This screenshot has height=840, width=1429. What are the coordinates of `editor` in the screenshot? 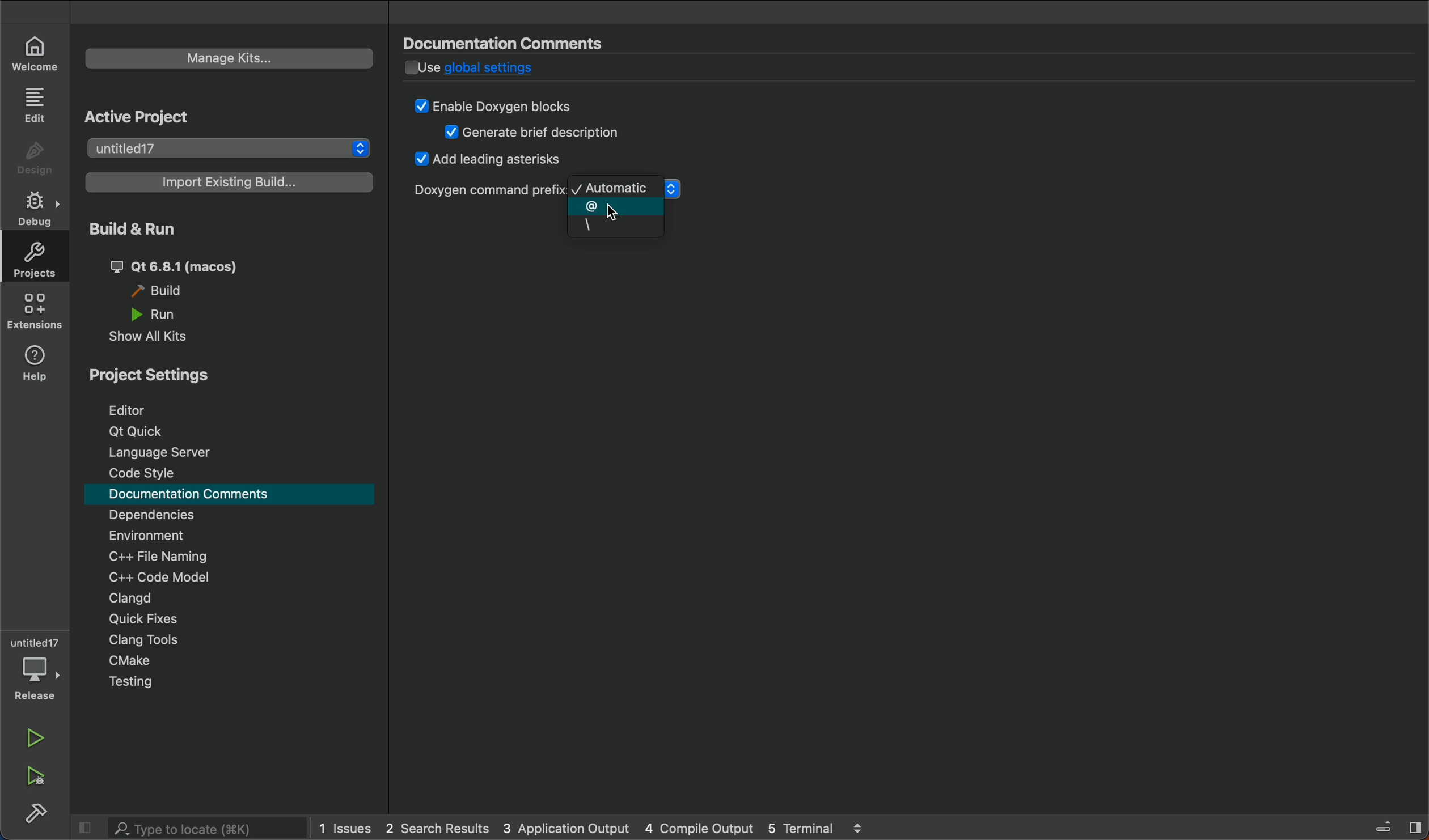 It's located at (139, 410).